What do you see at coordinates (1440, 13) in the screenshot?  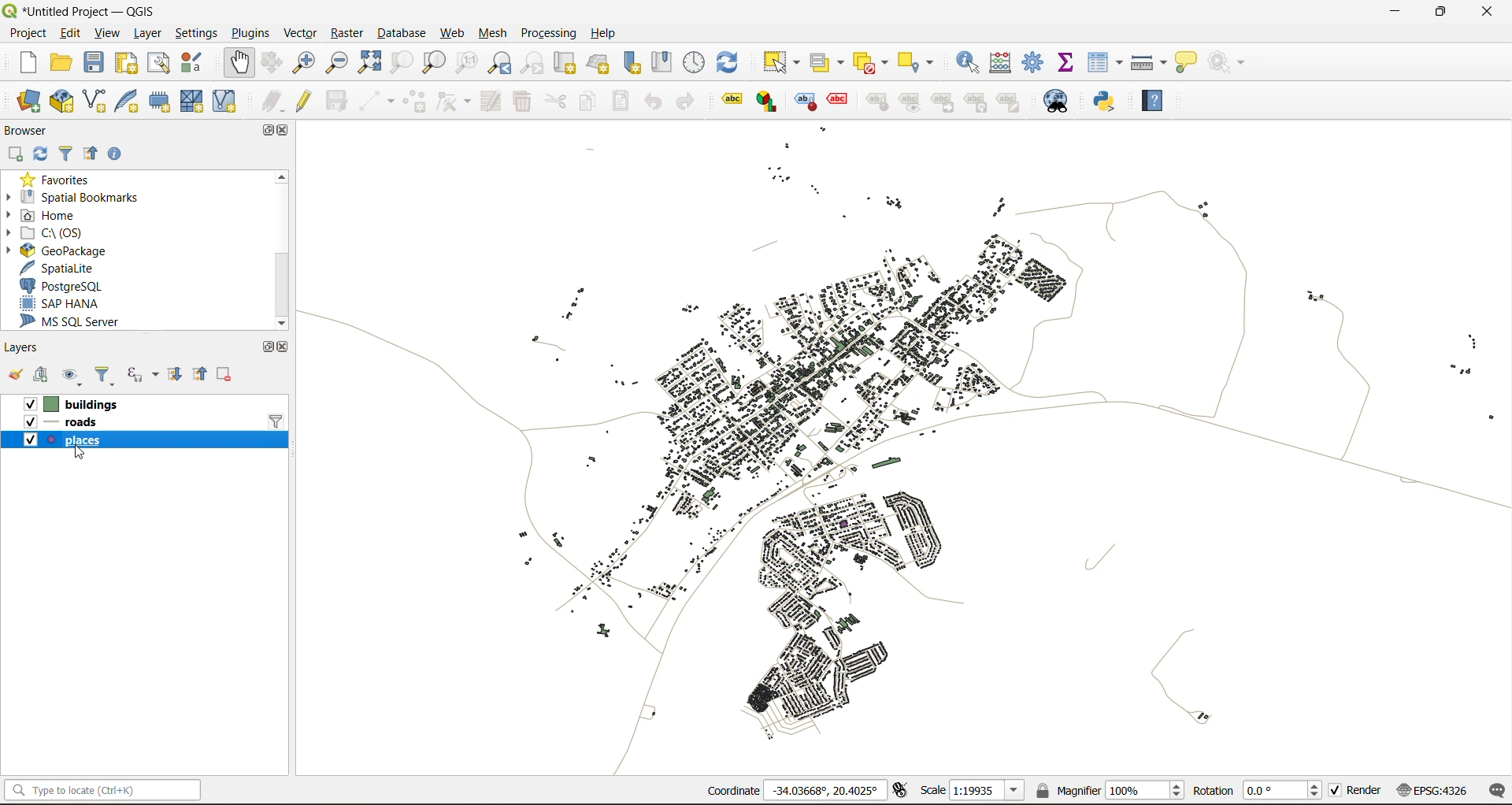 I see `maximize` at bounding box center [1440, 13].